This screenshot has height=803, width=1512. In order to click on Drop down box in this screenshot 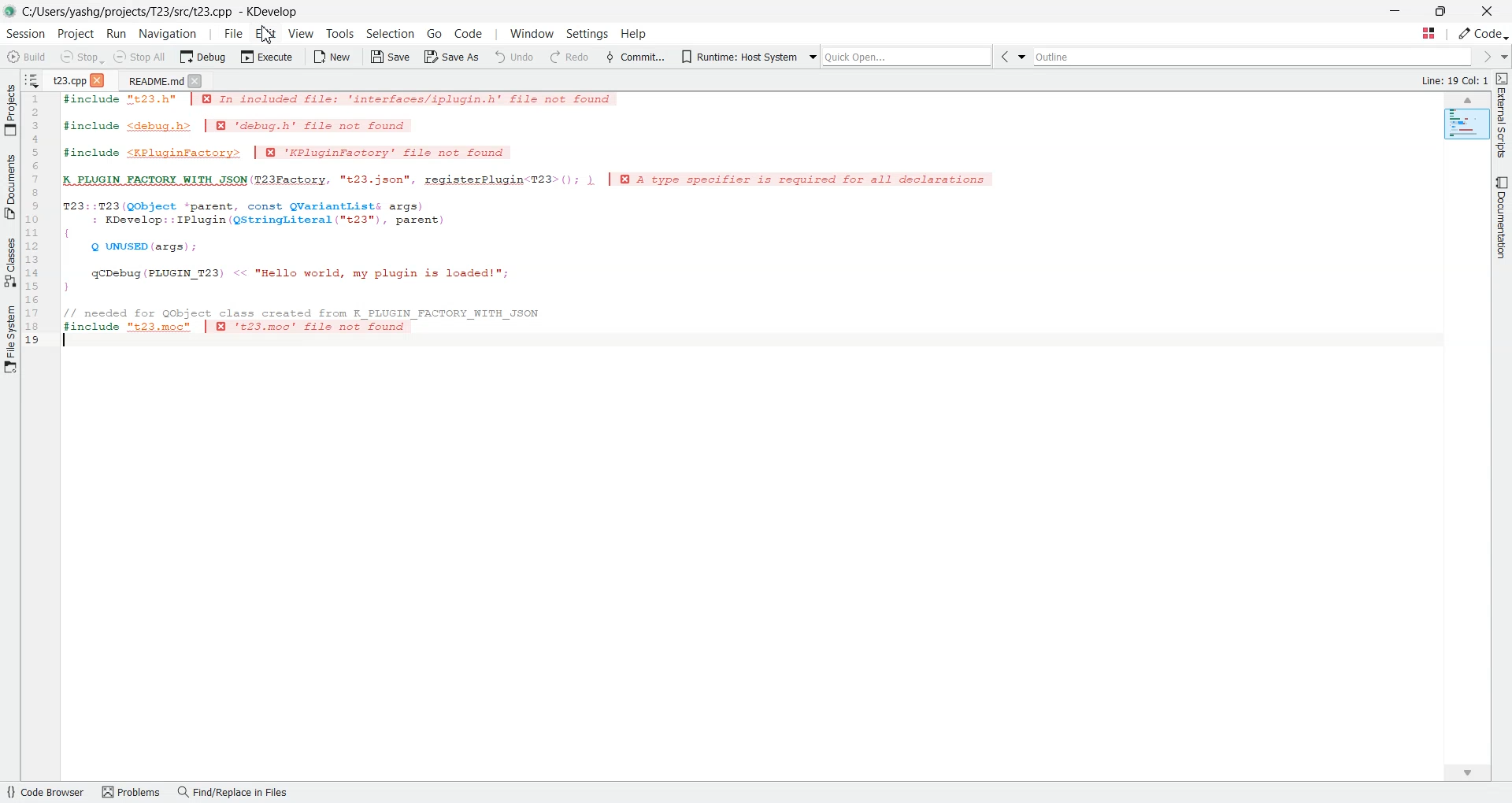, I will do `click(1025, 57)`.